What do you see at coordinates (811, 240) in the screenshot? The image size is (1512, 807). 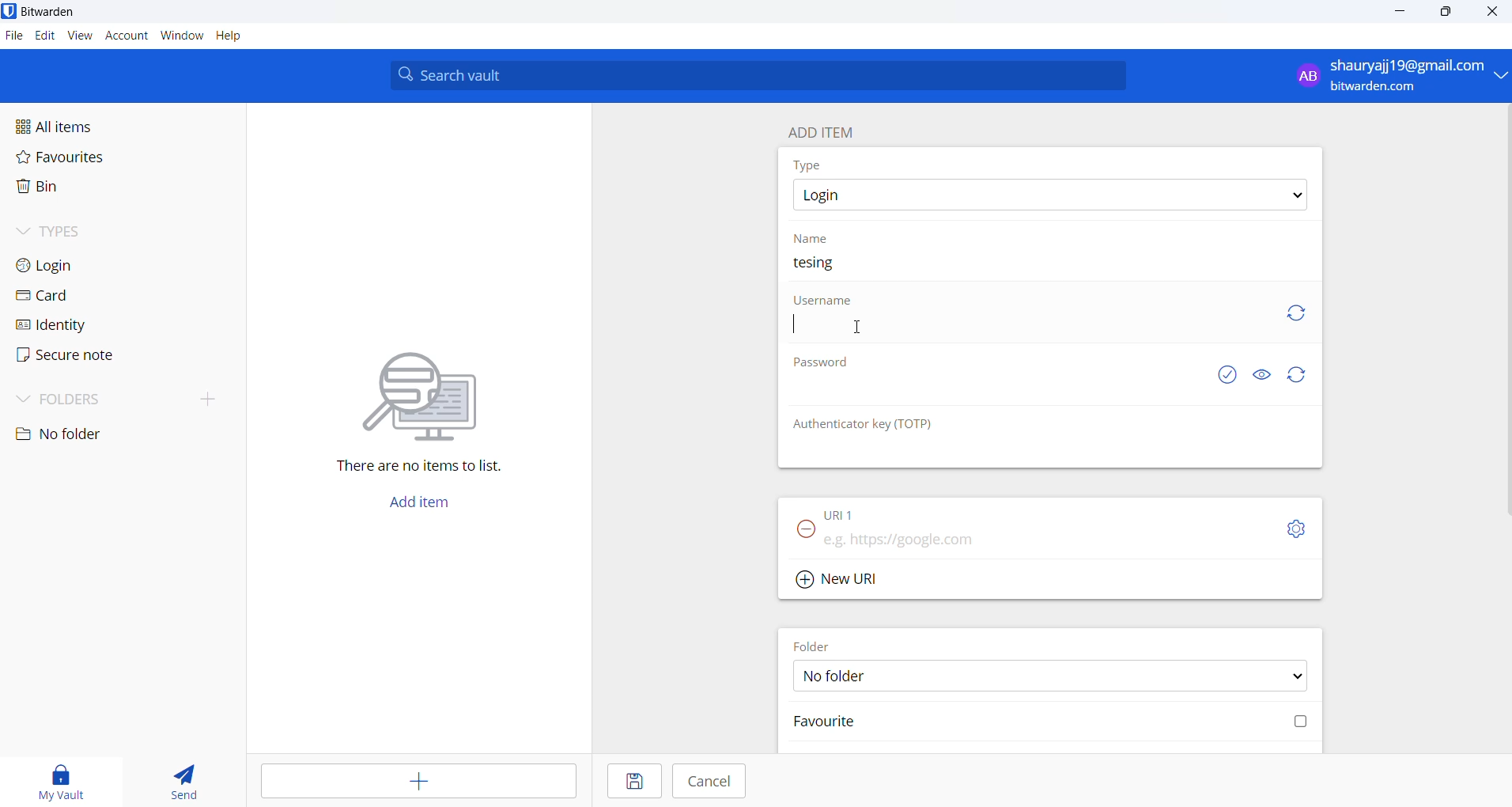 I see `name` at bounding box center [811, 240].